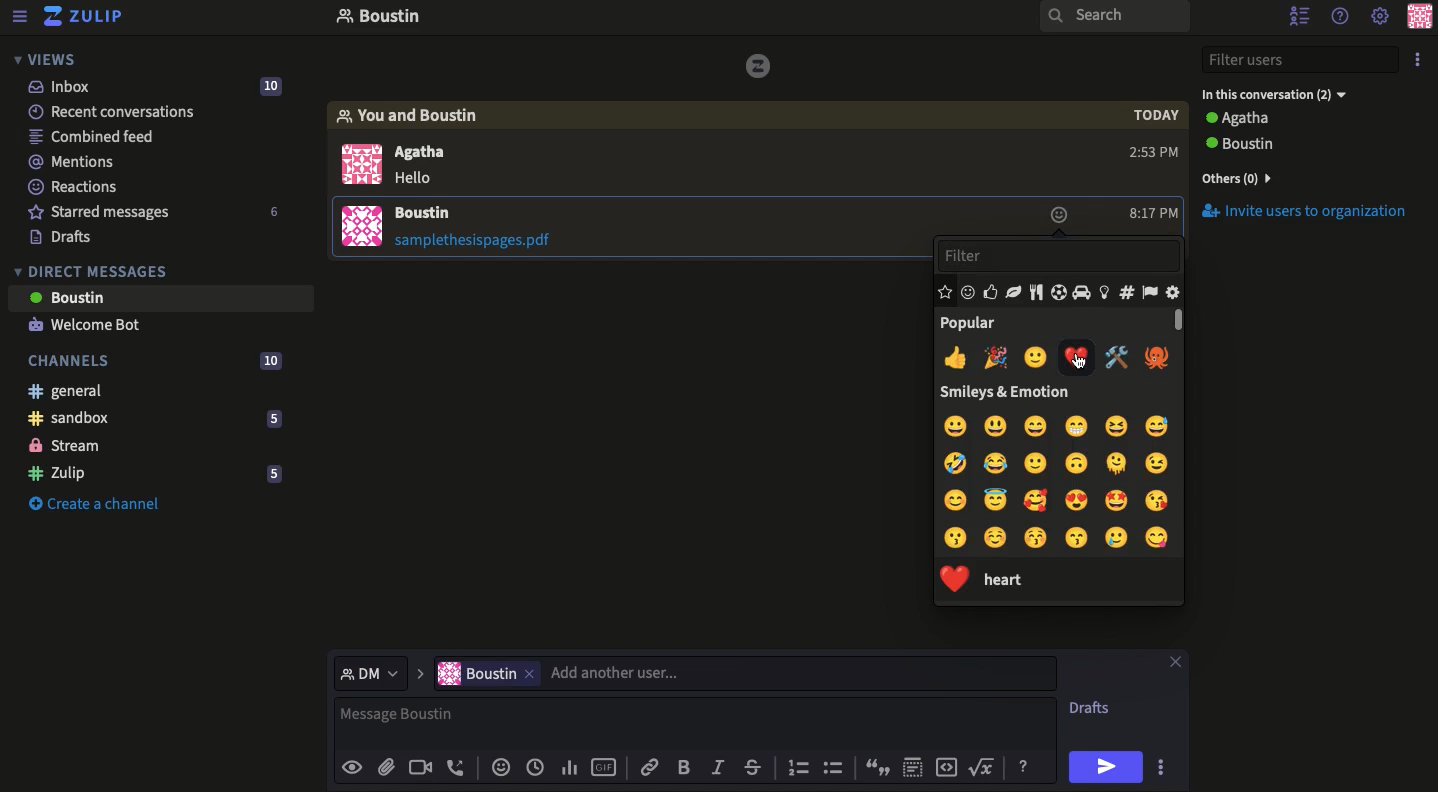 The height and width of the screenshot is (792, 1438). Describe the element at coordinates (1241, 119) in the screenshot. I see `User 1` at that location.